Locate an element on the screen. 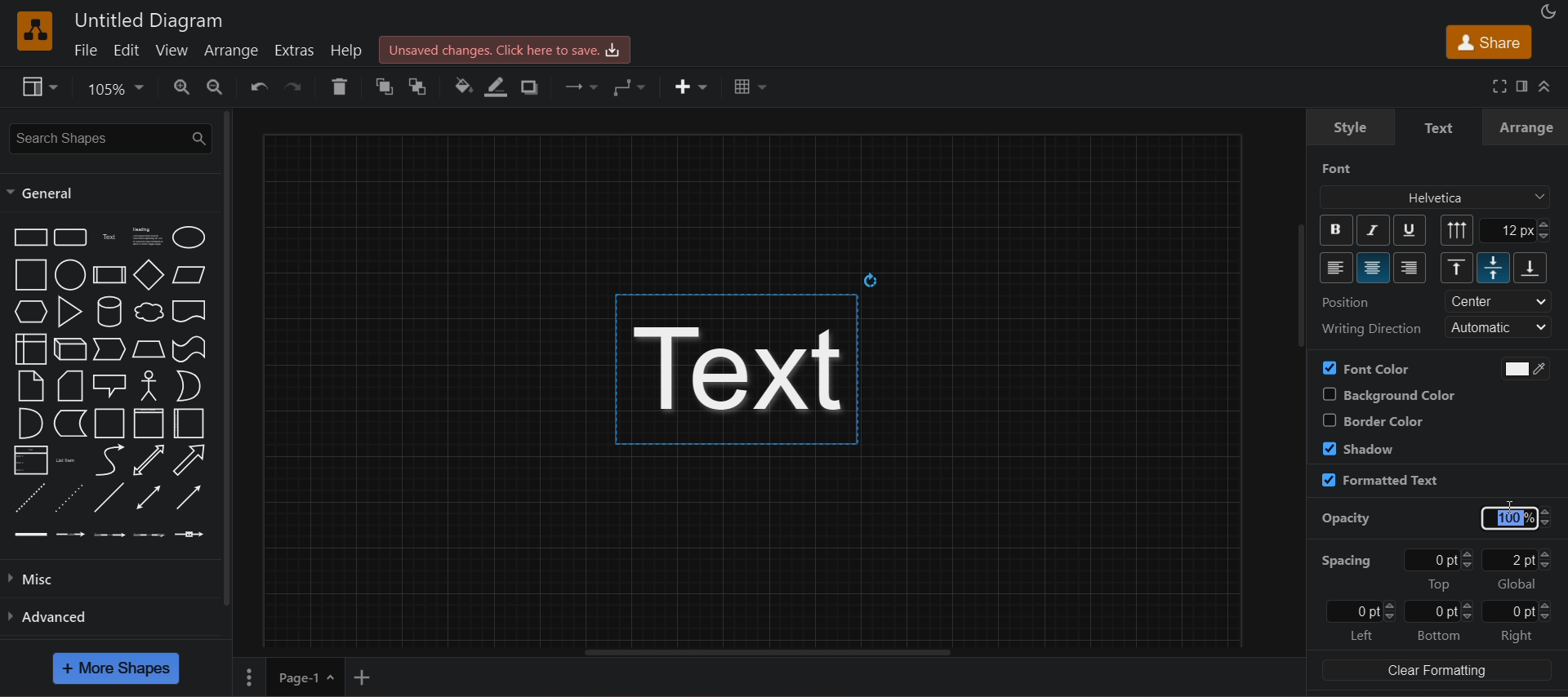 The width and height of the screenshot is (1568, 697). file is located at coordinates (85, 49).